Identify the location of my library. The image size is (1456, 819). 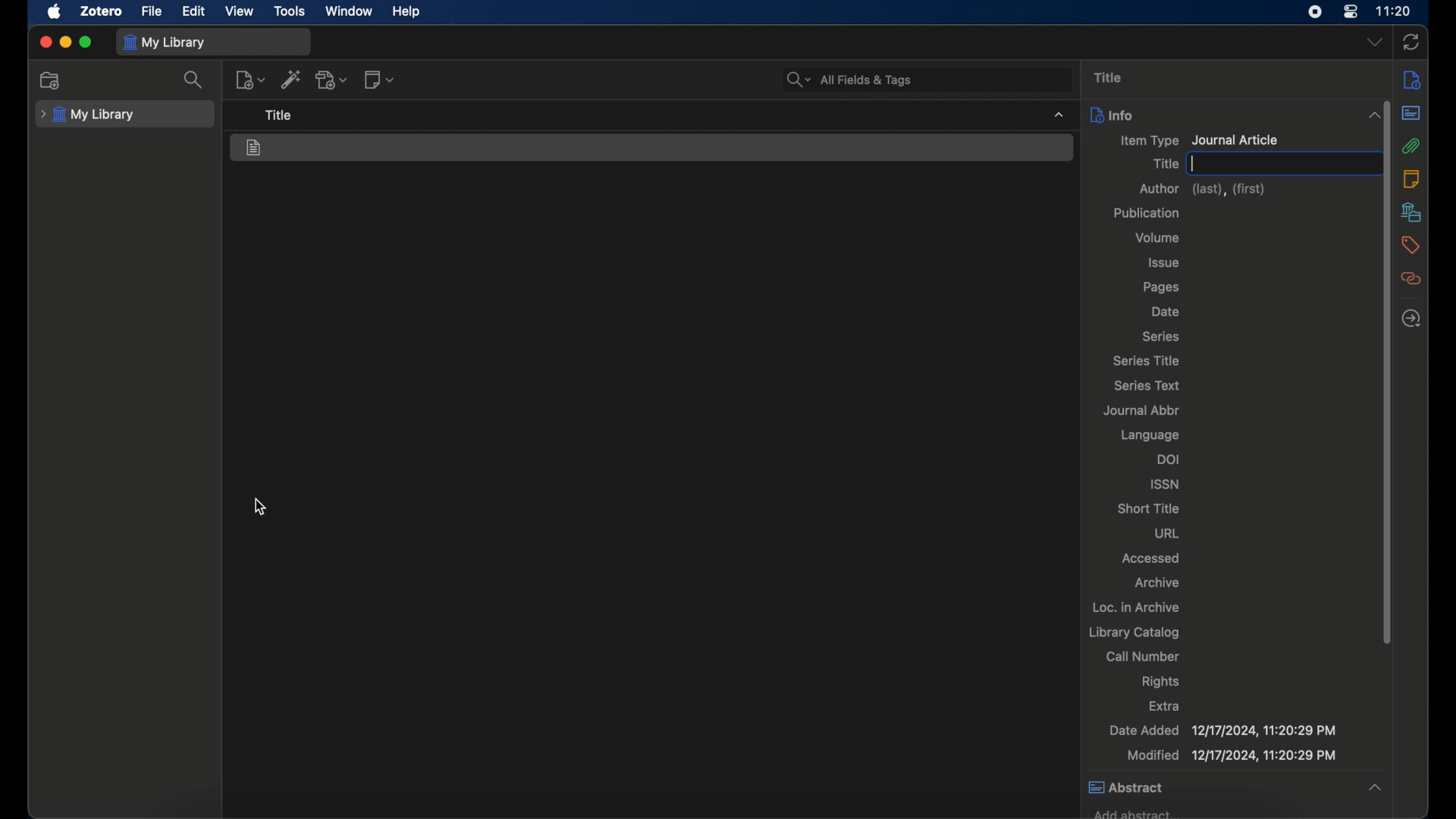
(87, 115).